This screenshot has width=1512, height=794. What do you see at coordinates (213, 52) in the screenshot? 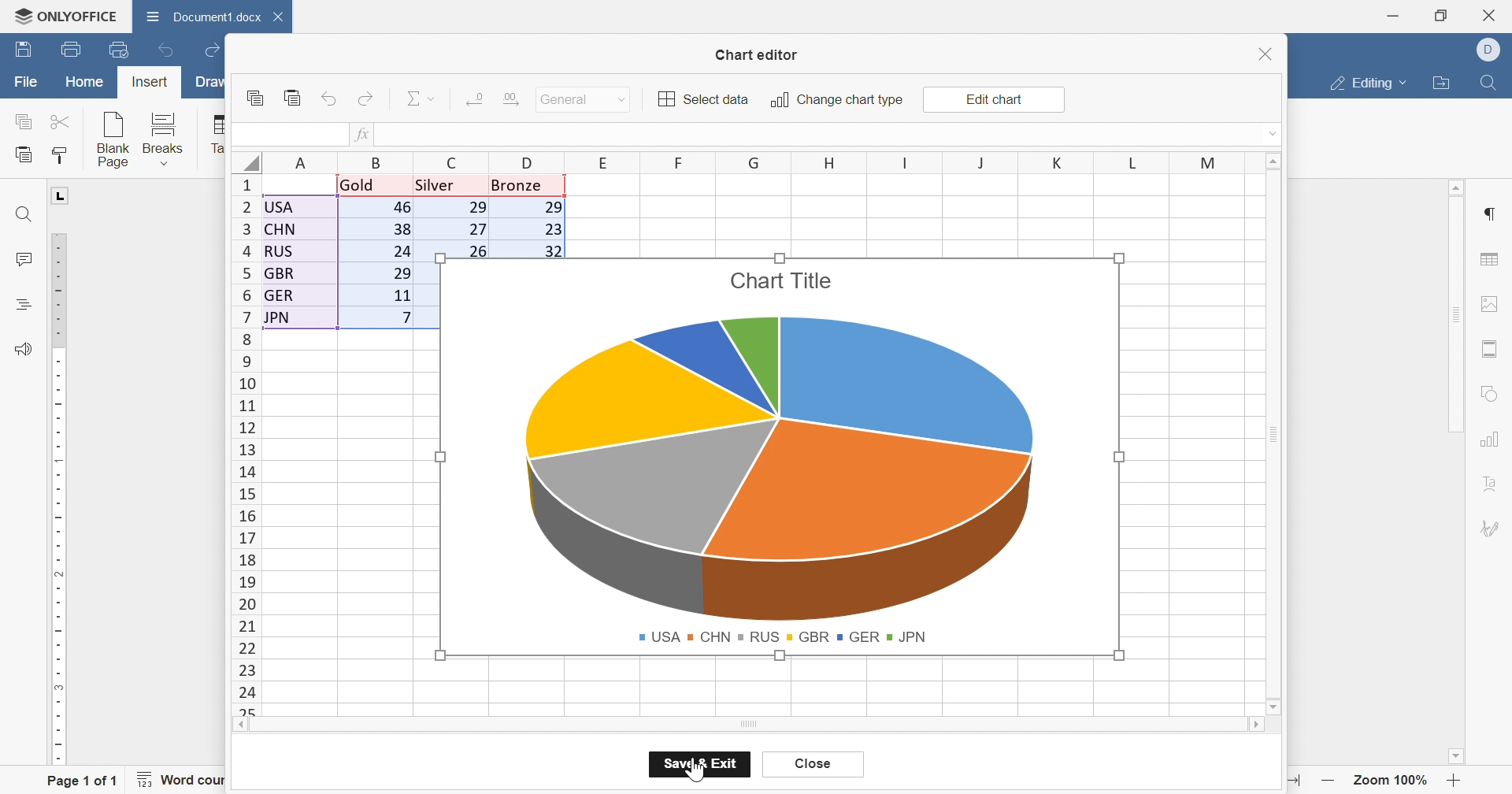
I see `Redo` at bounding box center [213, 52].